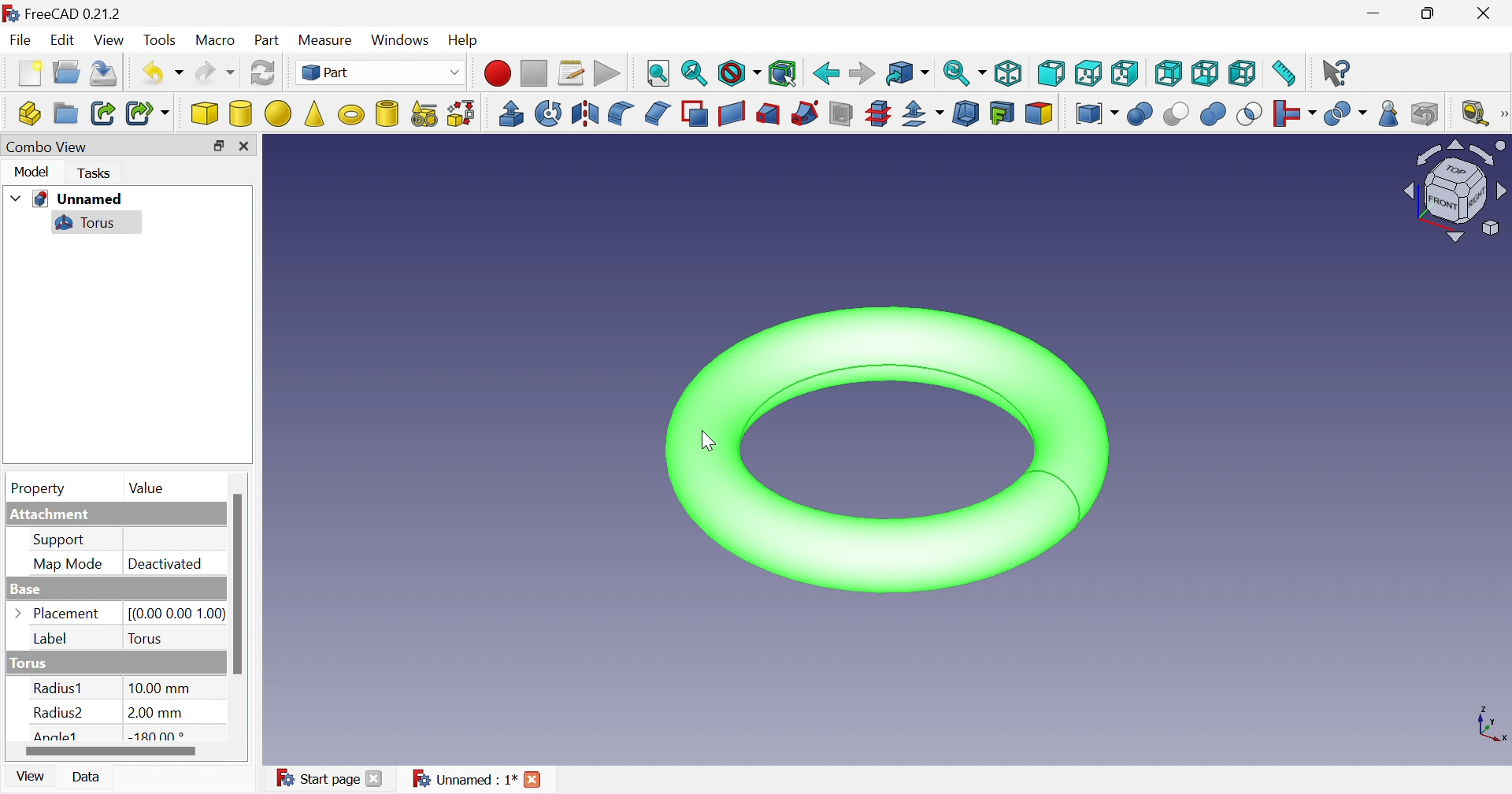 The image size is (1512, 794). I want to click on Create projection on surface, so click(1003, 114).